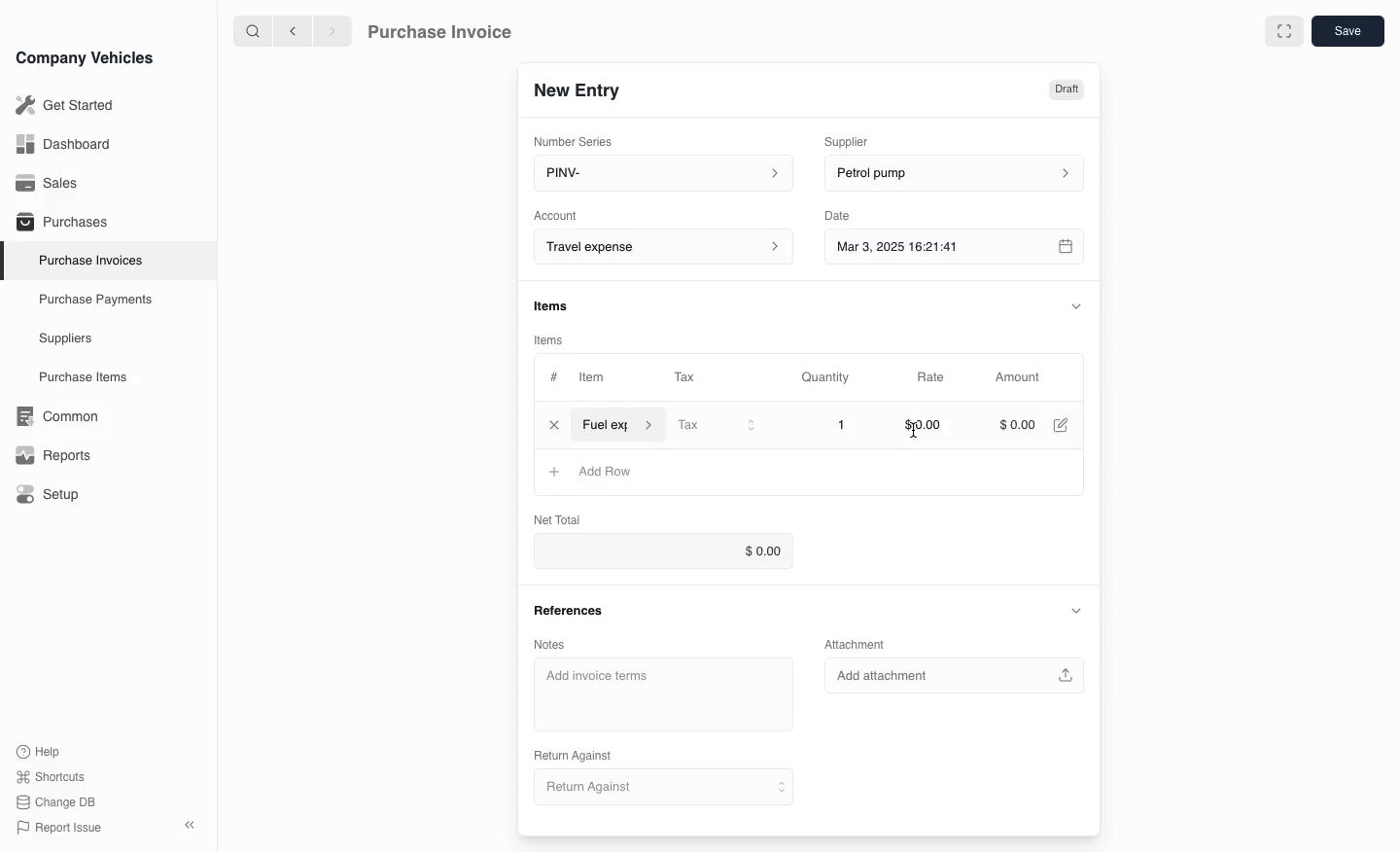 This screenshot has width=1400, height=852. What do you see at coordinates (925, 425) in the screenshot?
I see `$0.00` at bounding box center [925, 425].